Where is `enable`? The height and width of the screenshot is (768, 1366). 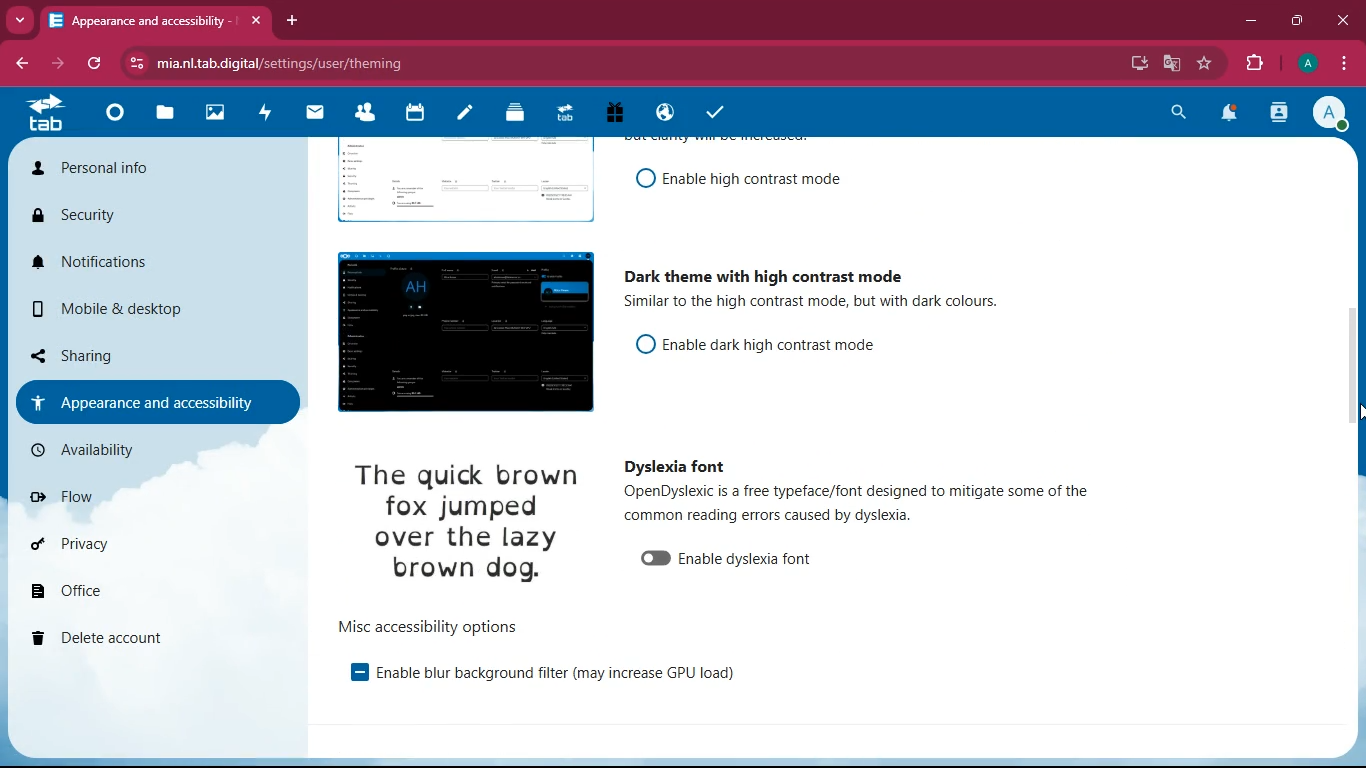 enable is located at coordinates (555, 675).